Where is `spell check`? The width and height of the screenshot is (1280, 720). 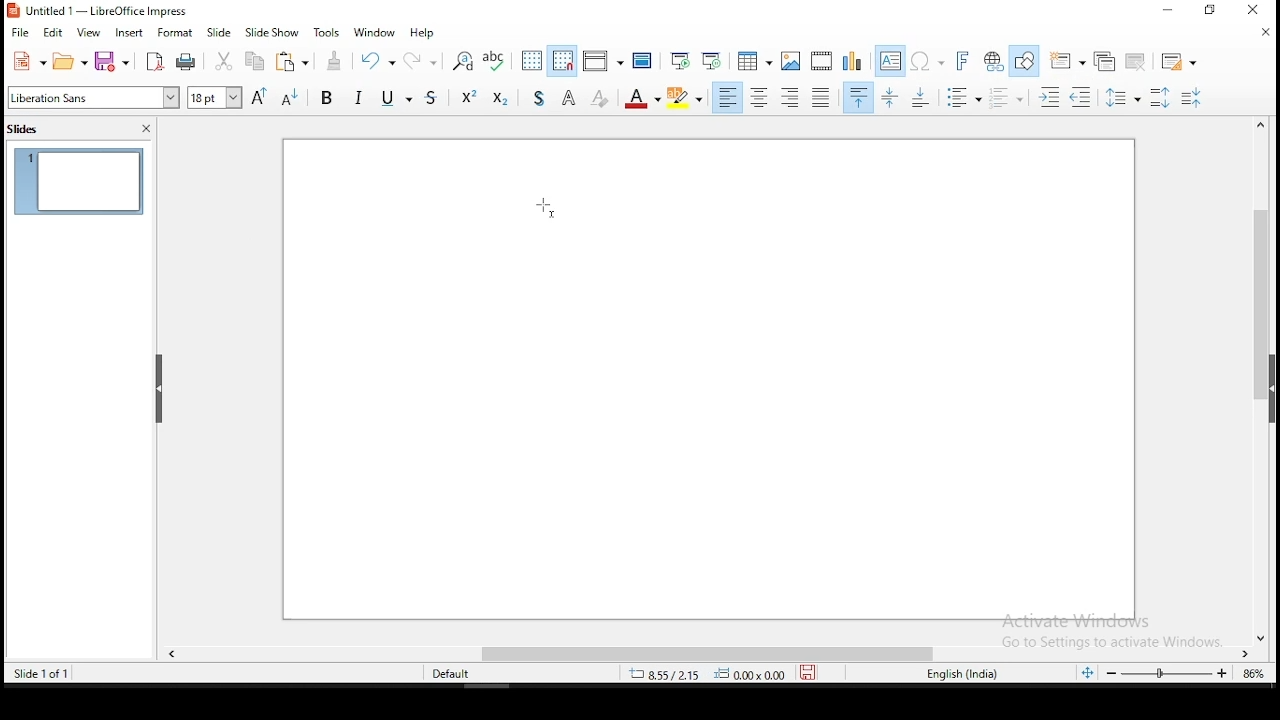 spell check is located at coordinates (493, 59).